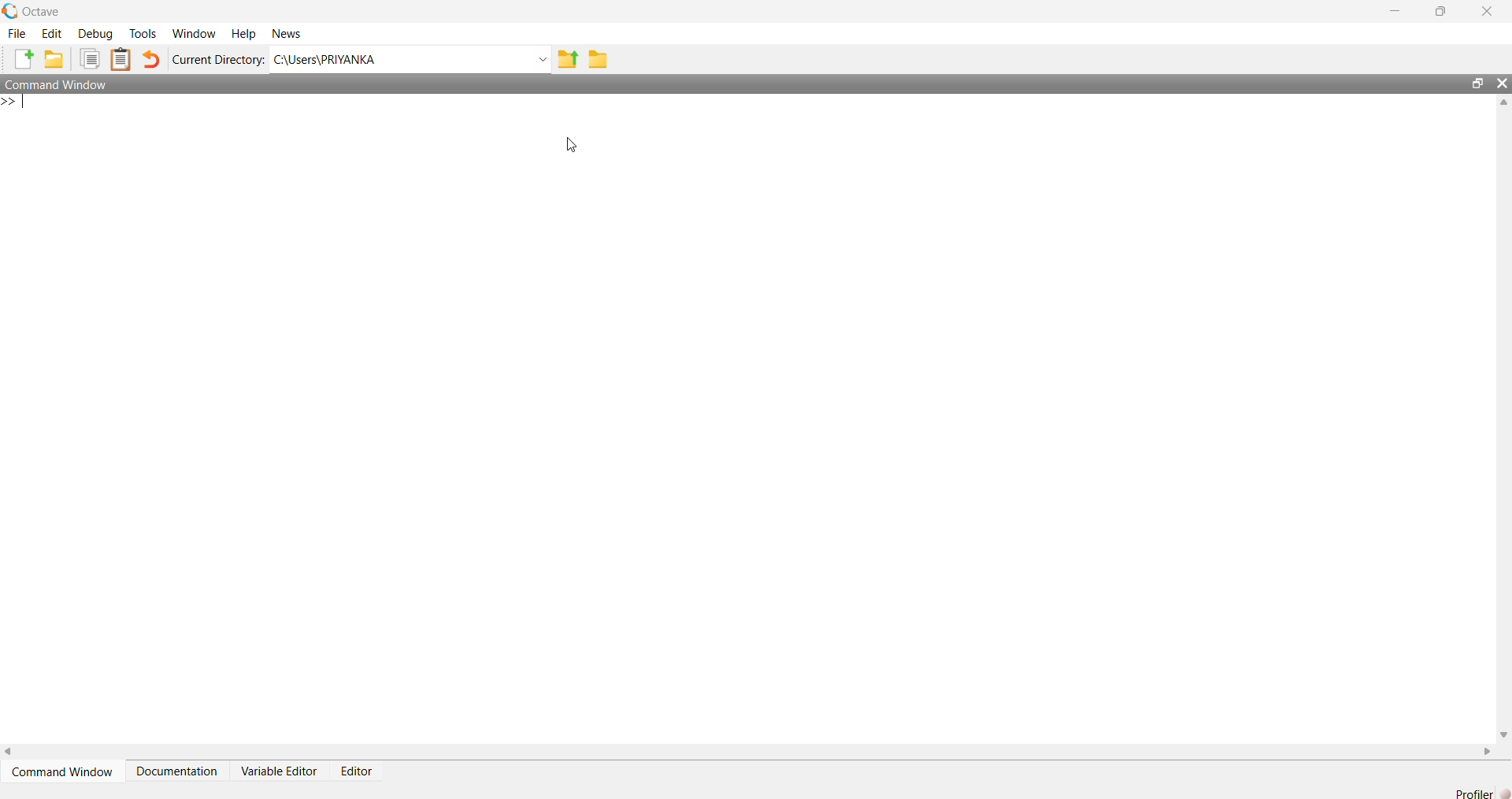 This screenshot has height=799, width=1512. What do you see at coordinates (1503, 104) in the screenshot?
I see `Up` at bounding box center [1503, 104].